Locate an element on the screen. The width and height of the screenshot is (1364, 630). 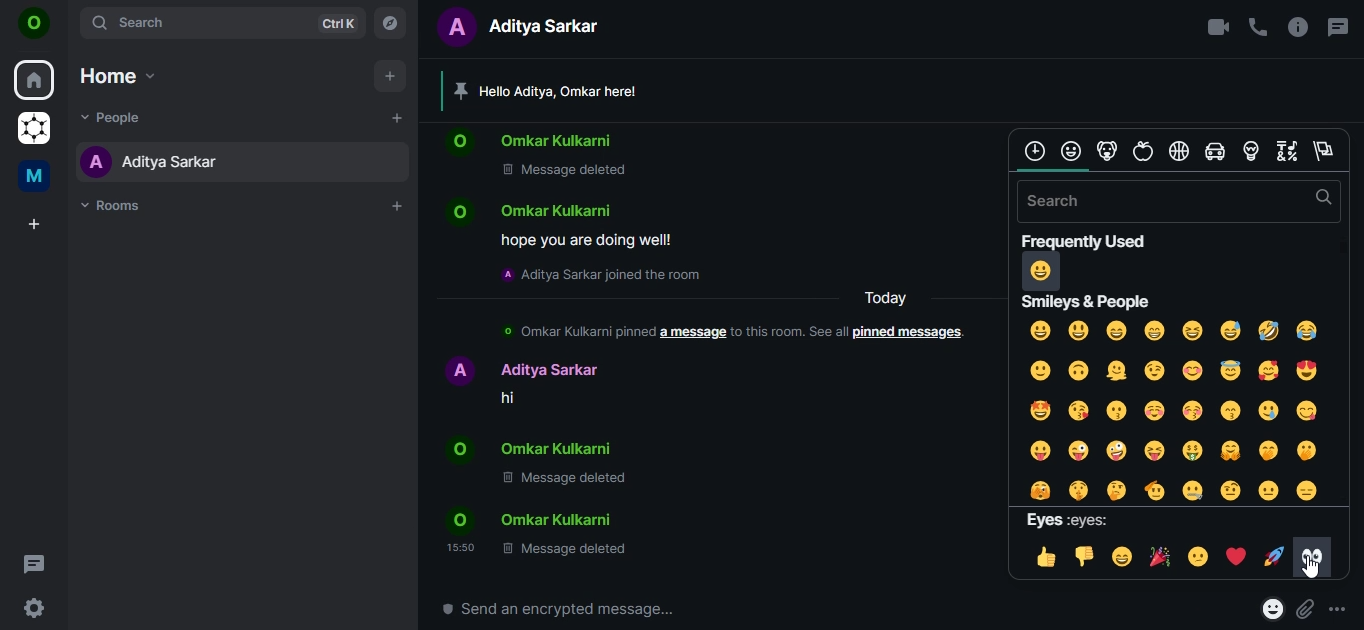
grinning face is located at coordinates (1040, 330).